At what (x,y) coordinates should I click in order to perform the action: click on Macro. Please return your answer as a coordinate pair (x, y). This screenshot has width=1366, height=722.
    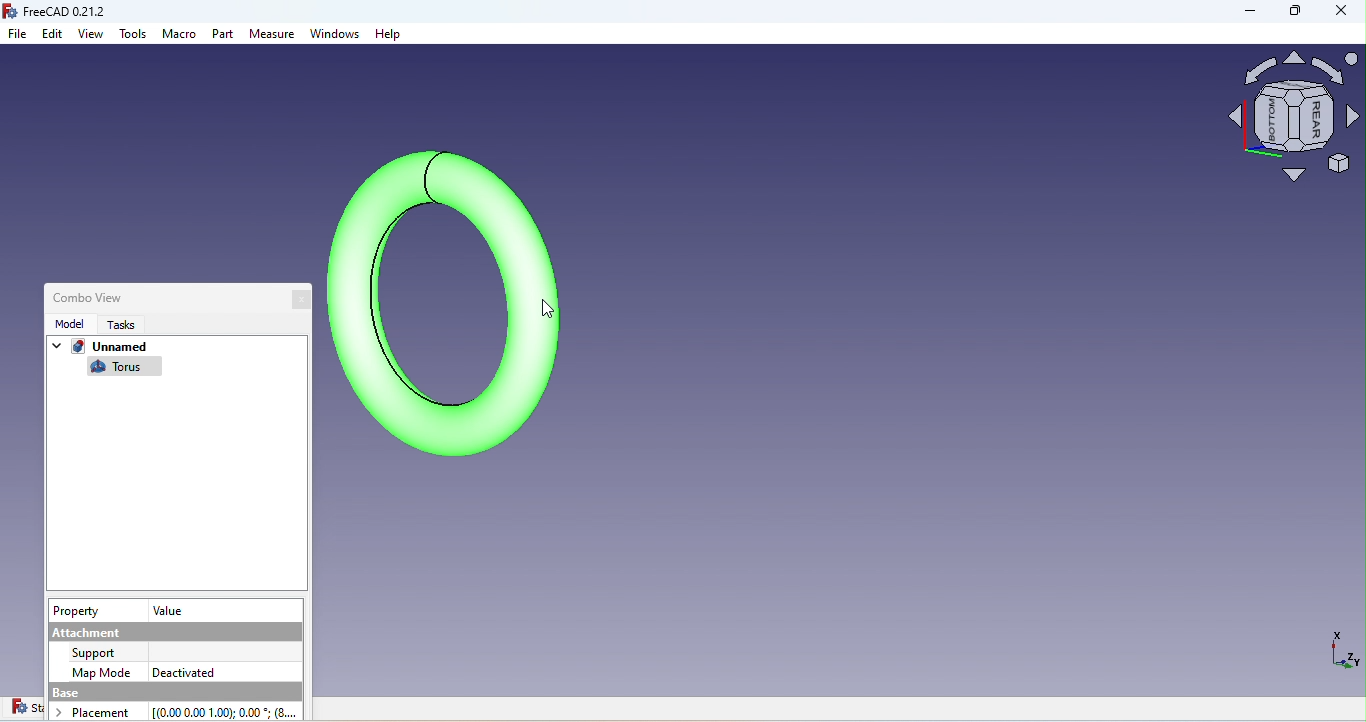
    Looking at the image, I should click on (180, 37).